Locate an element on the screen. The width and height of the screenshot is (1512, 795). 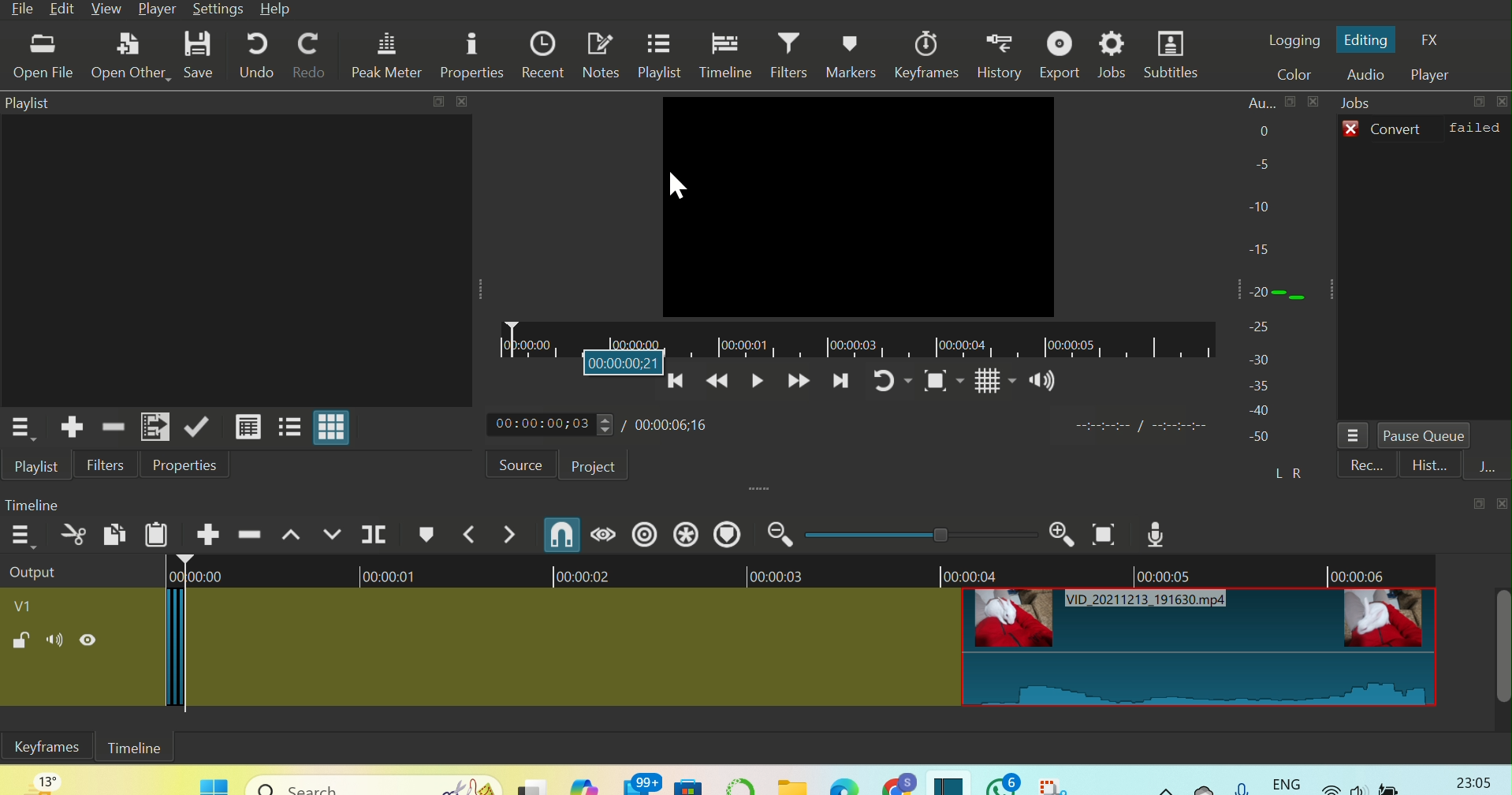
Convert failed is located at coordinates (1426, 128).